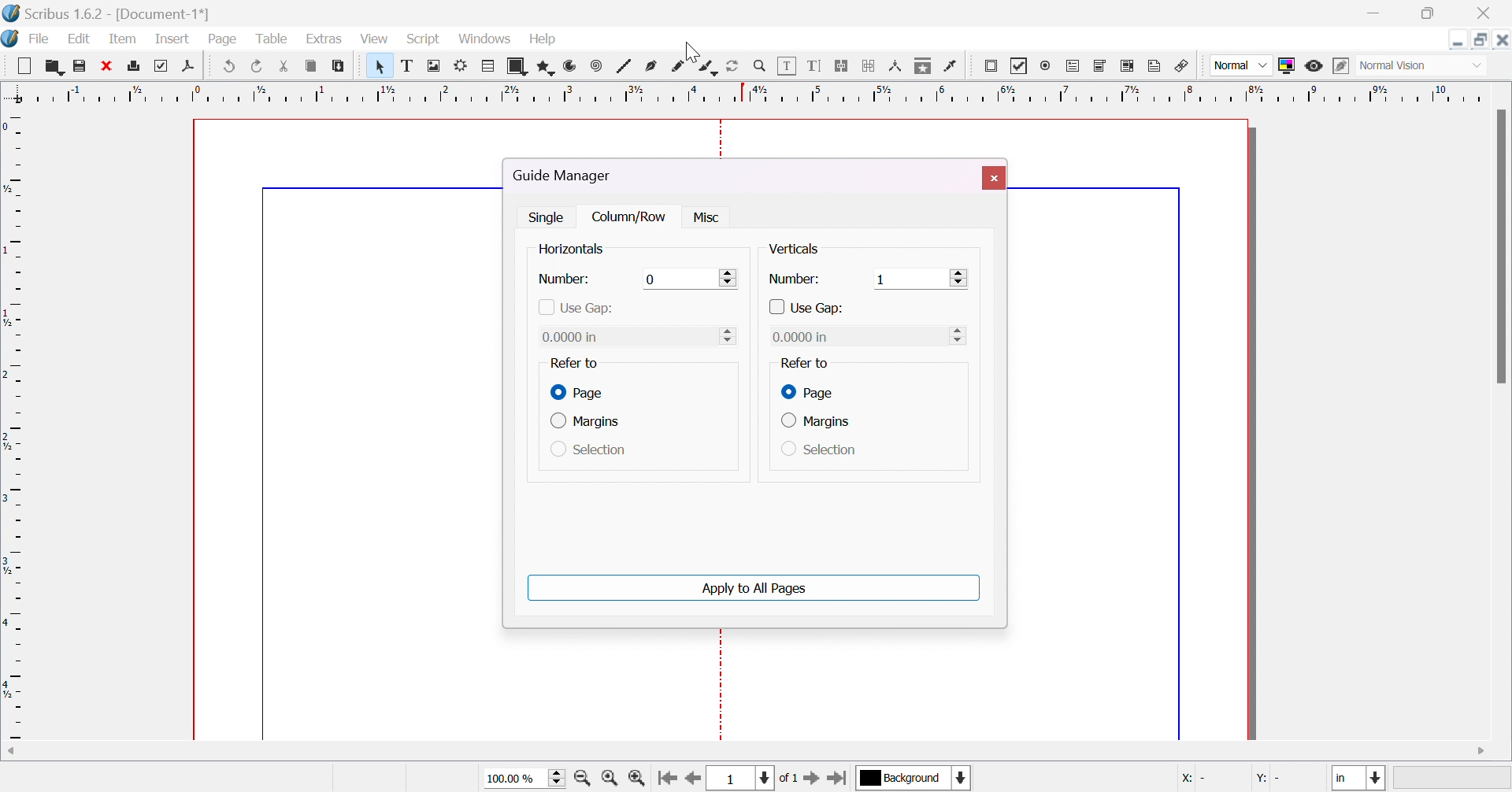 The height and width of the screenshot is (792, 1512). What do you see at coordinates (1503, 39) in the screenshot?
I see `Close` at bounding box center [1503, 39].